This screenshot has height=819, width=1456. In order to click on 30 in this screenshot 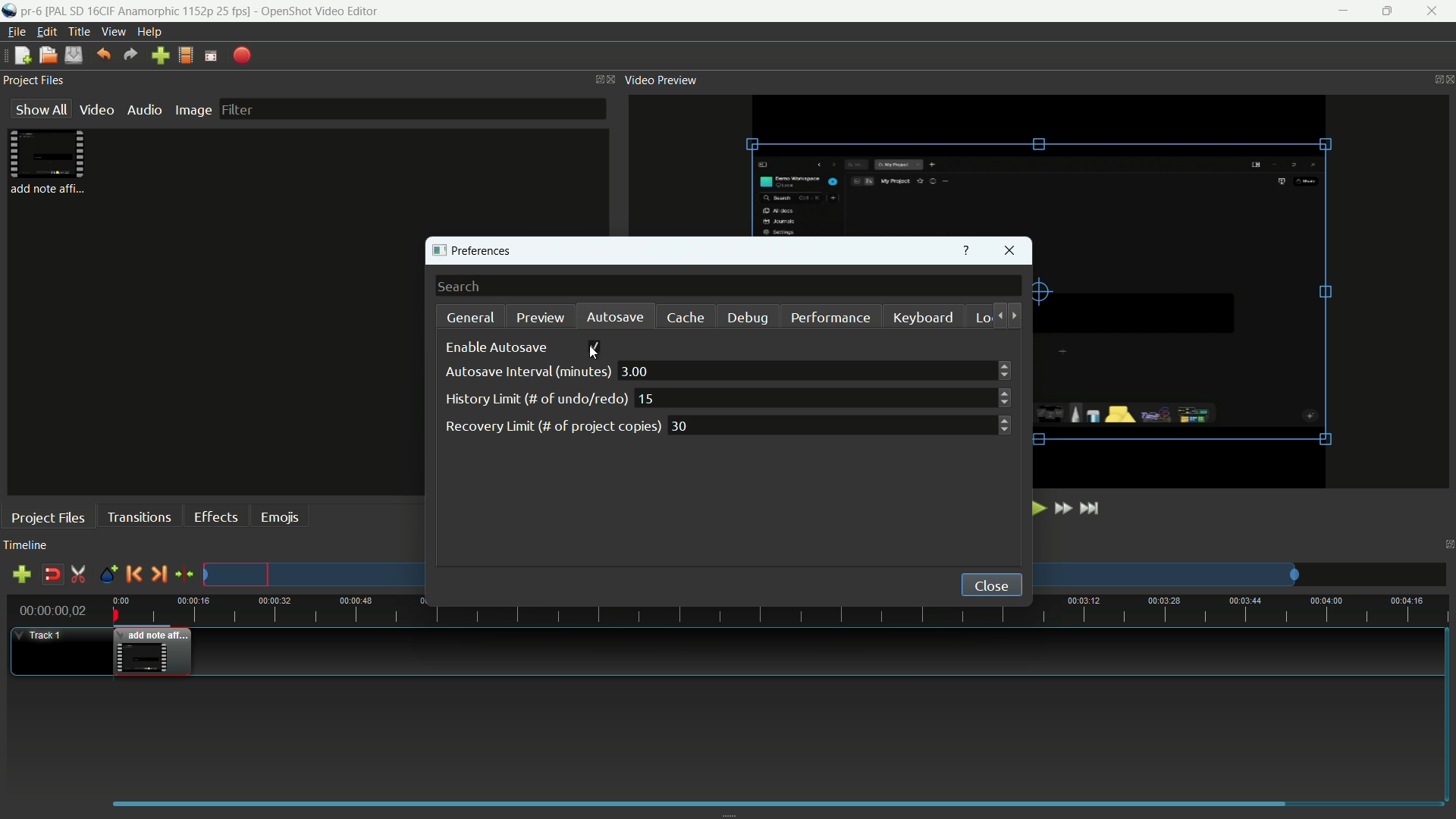, I will do `click(839, 425)`.